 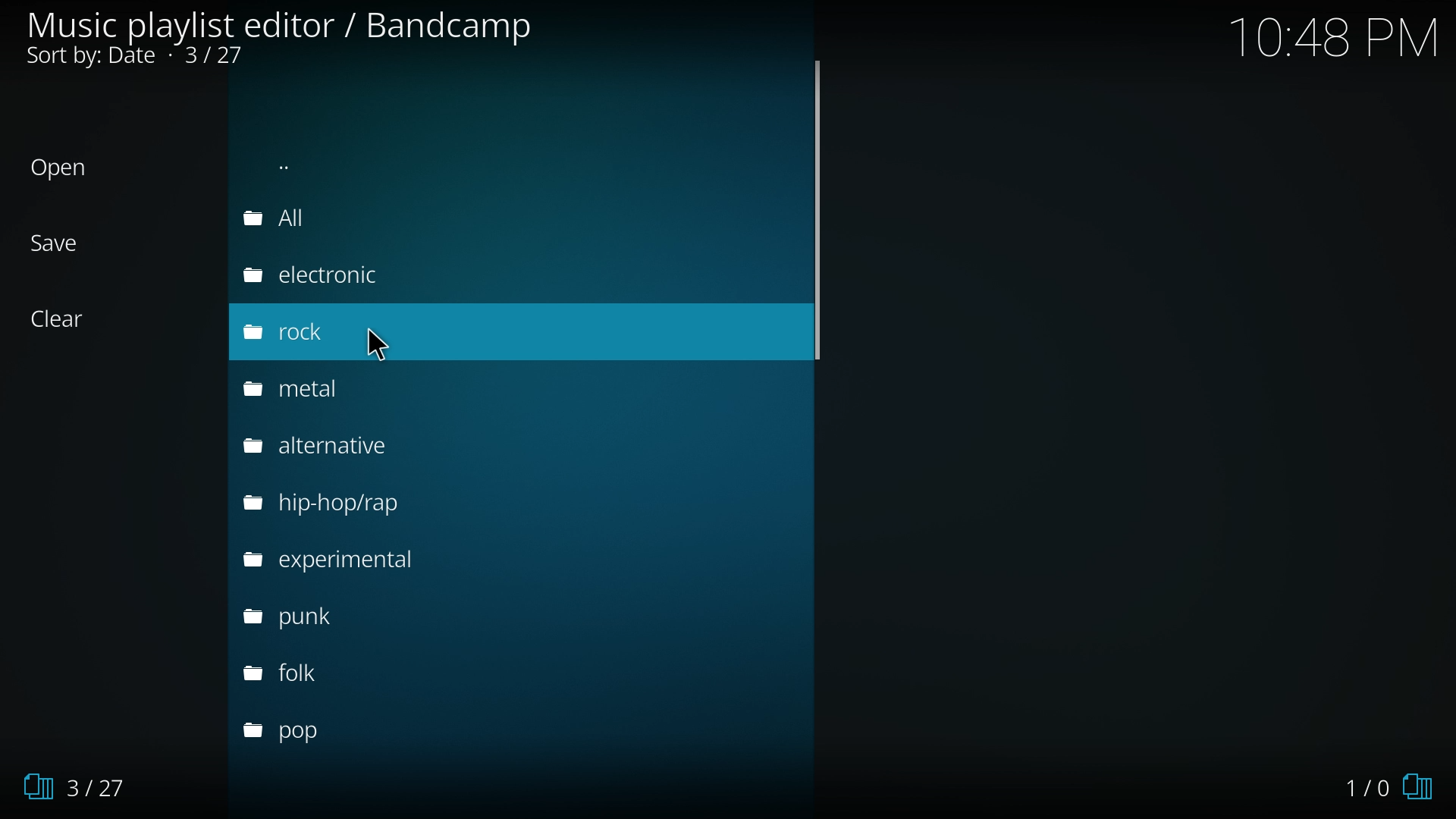 What do you see at coordinates (315, 219) in the screenshot?
I see `all` at bounding box center [315, 219].